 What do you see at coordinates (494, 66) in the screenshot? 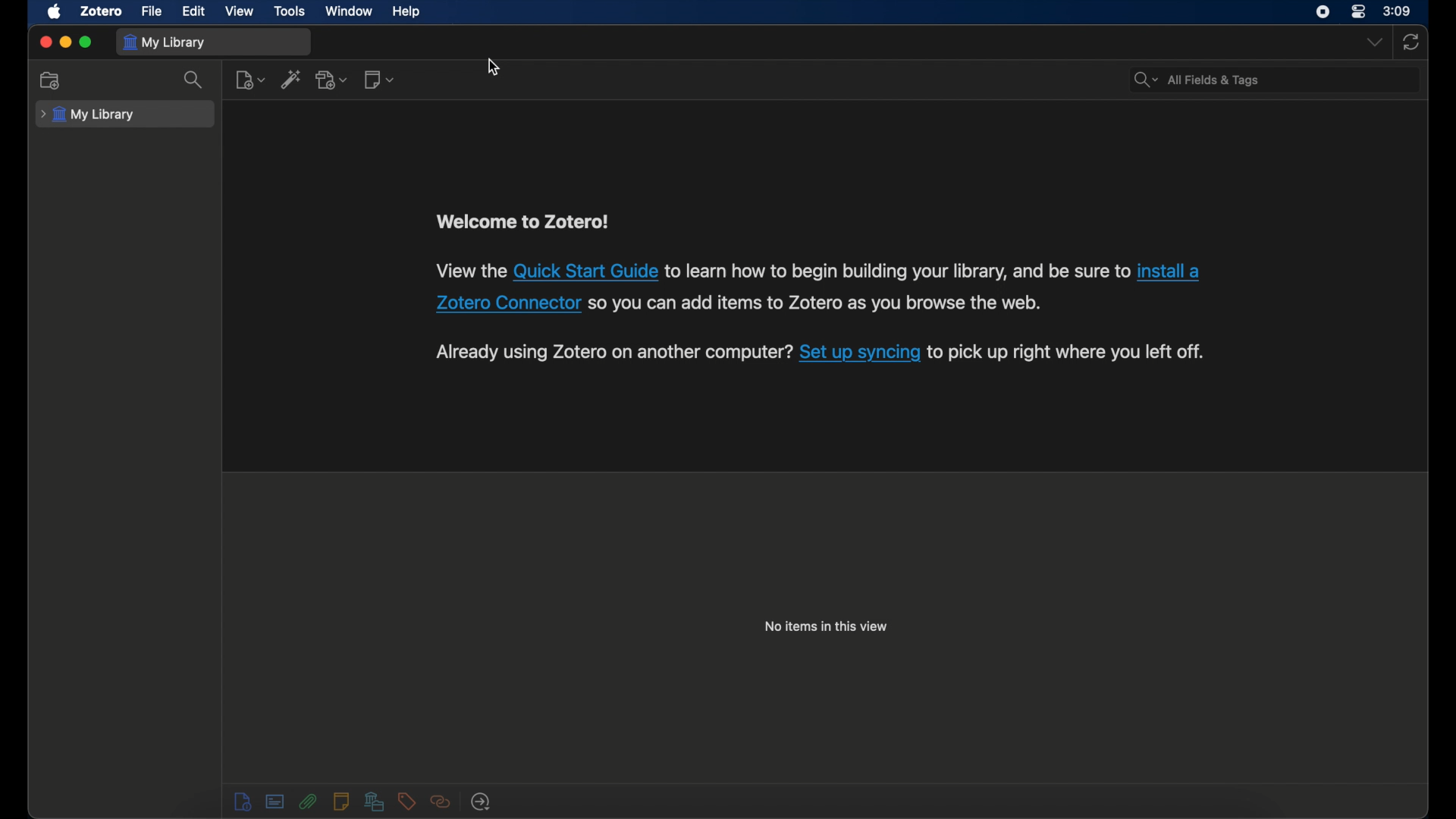
I see `cursor` at bounding box center [494, 66].